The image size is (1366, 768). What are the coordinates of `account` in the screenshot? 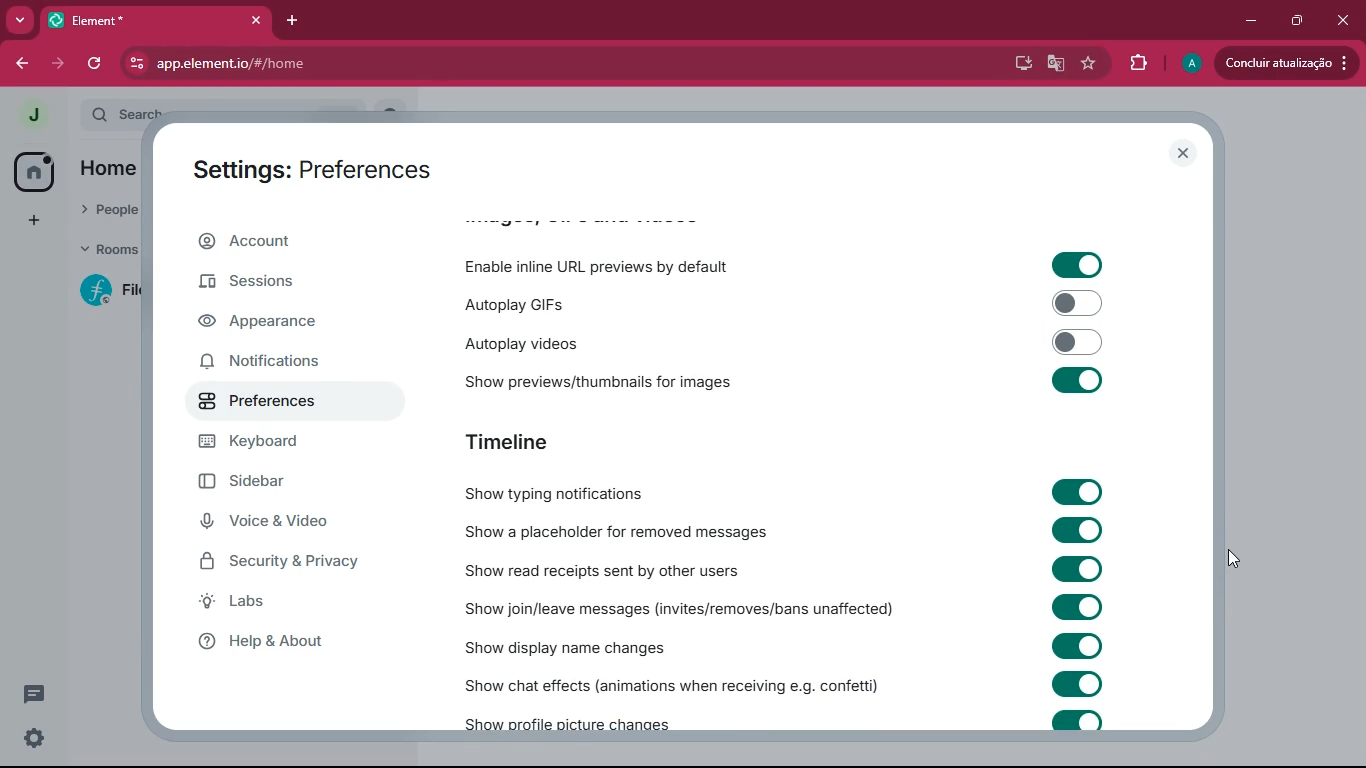 It's located at (296, 239).